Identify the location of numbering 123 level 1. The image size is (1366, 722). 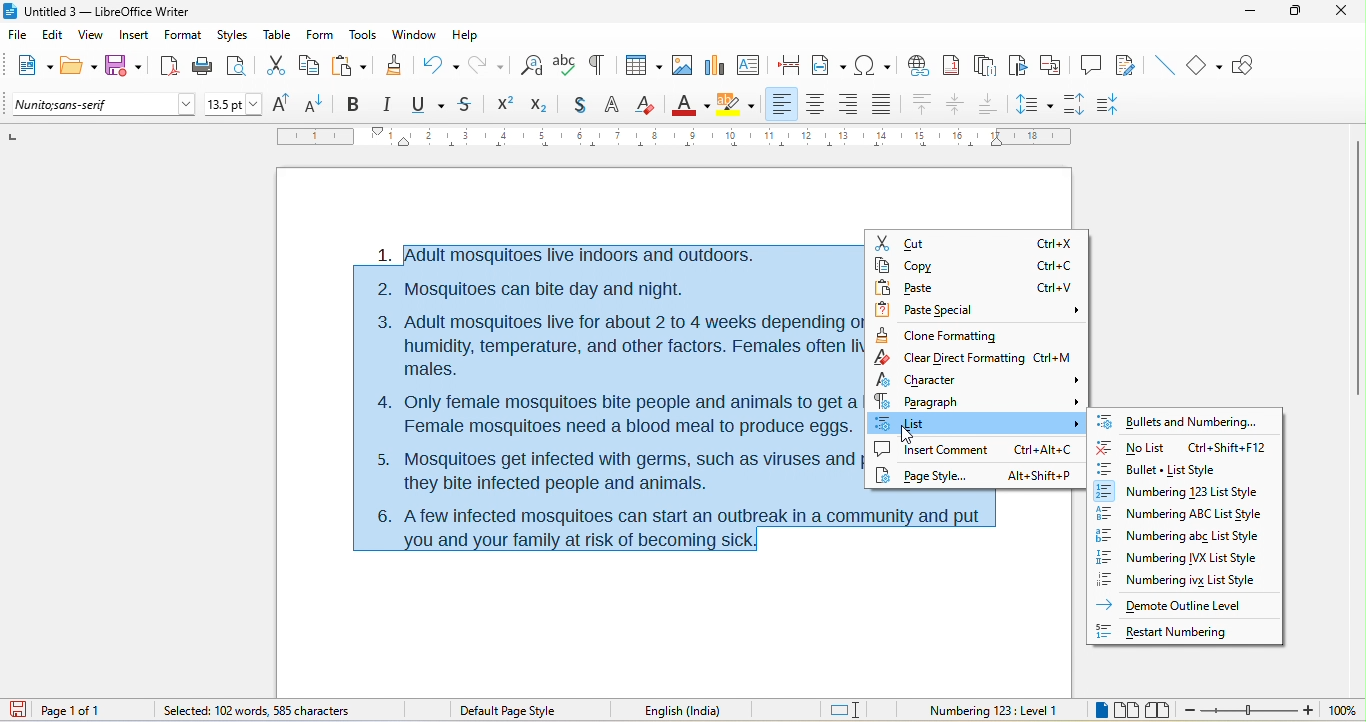
(994, 708).